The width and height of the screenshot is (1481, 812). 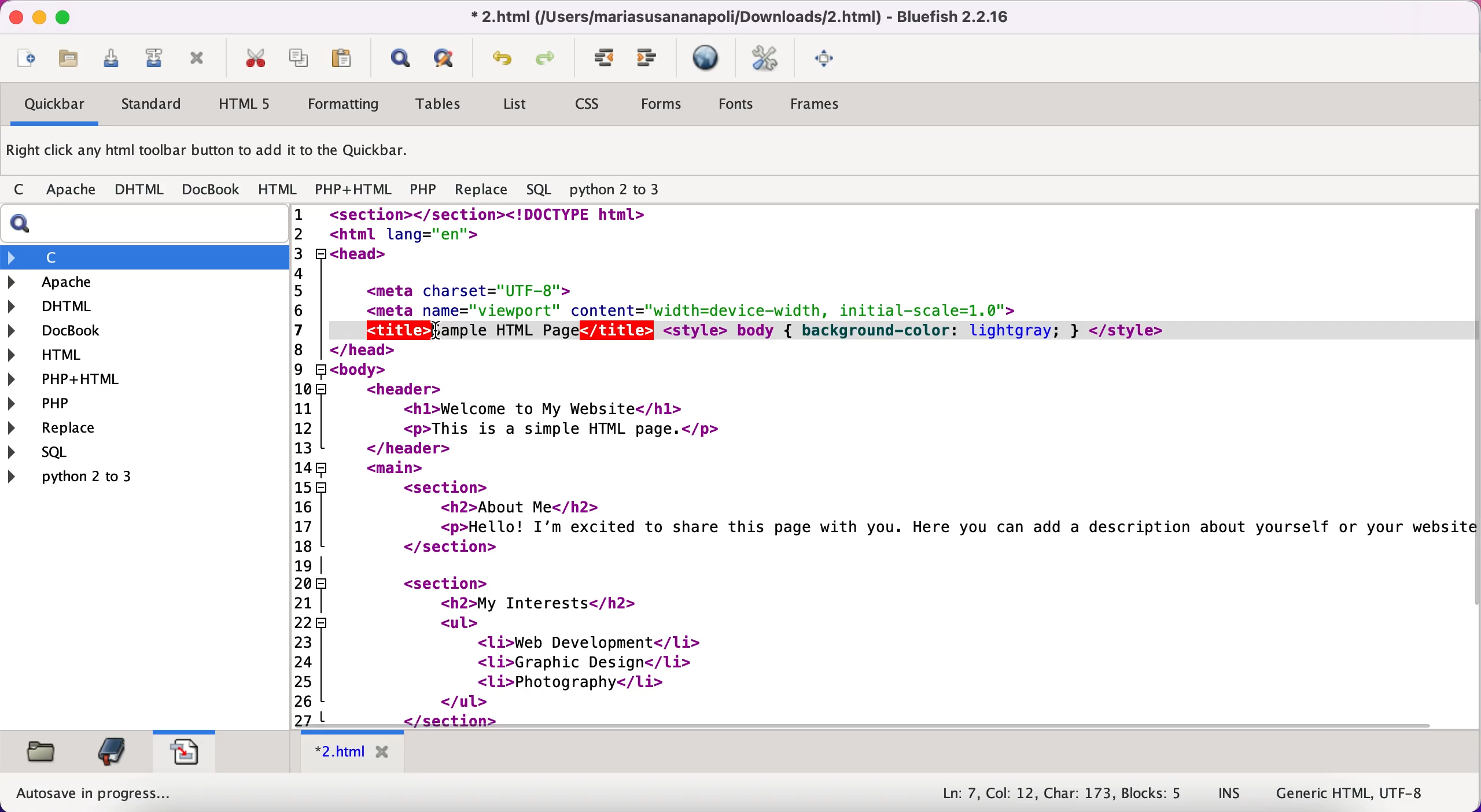 What do you see at coordinates (309, 466) in the screenshot?
I see `line numbers` at bounding box center [309, 466].